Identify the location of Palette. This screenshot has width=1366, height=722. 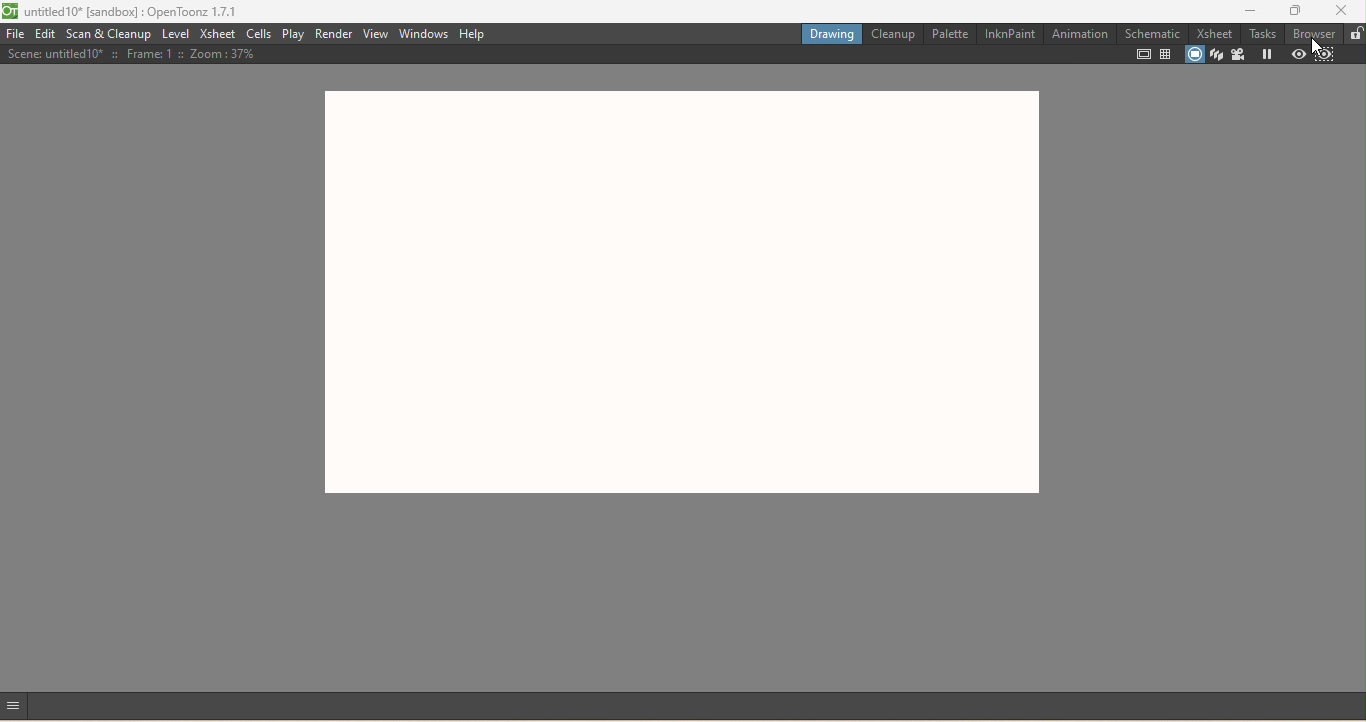
(948, 33).